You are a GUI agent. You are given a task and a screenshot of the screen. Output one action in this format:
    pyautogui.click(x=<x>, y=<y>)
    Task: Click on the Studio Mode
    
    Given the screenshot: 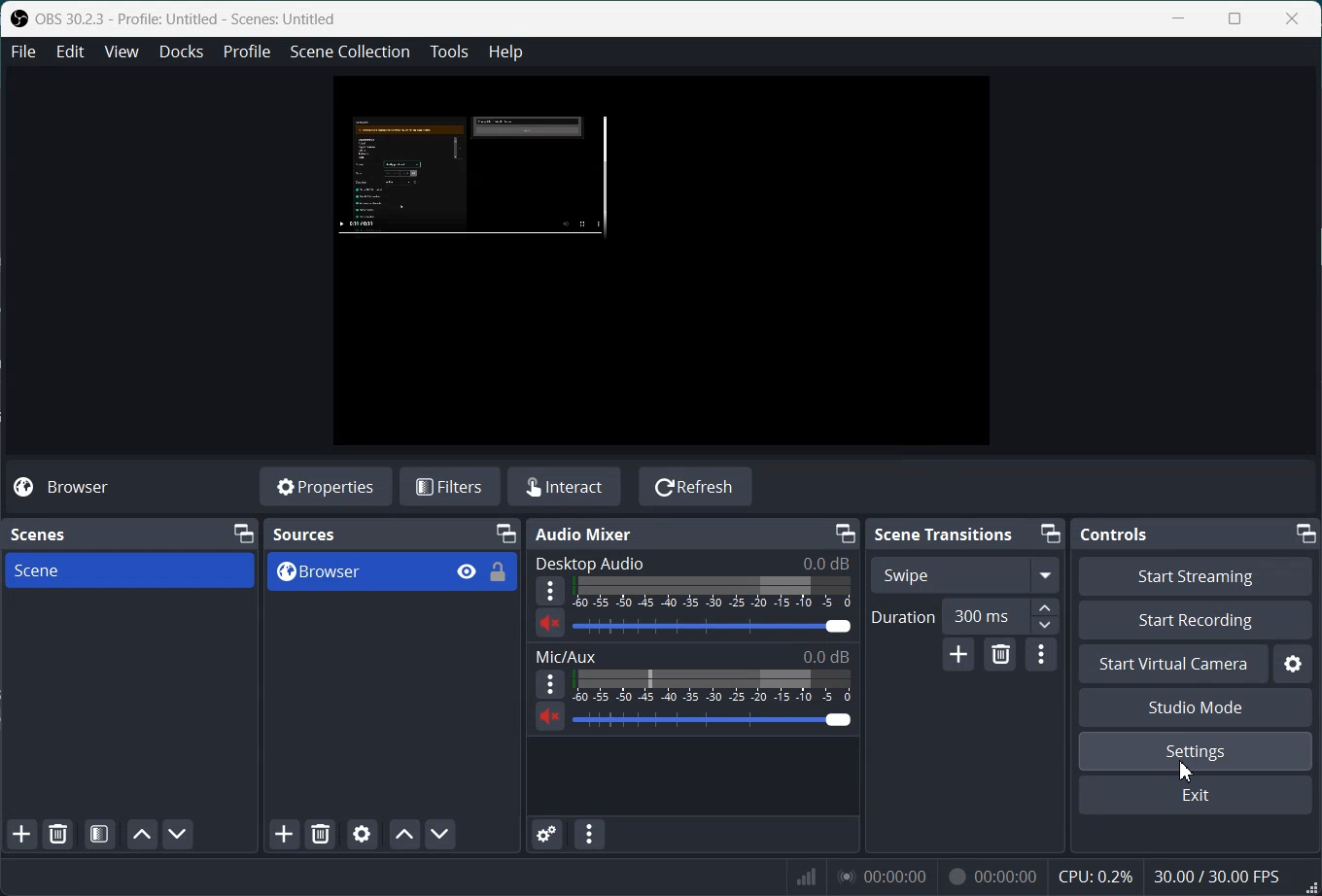 What is the action you would take?
    pyautogui.click(x=1195, y=707)
    